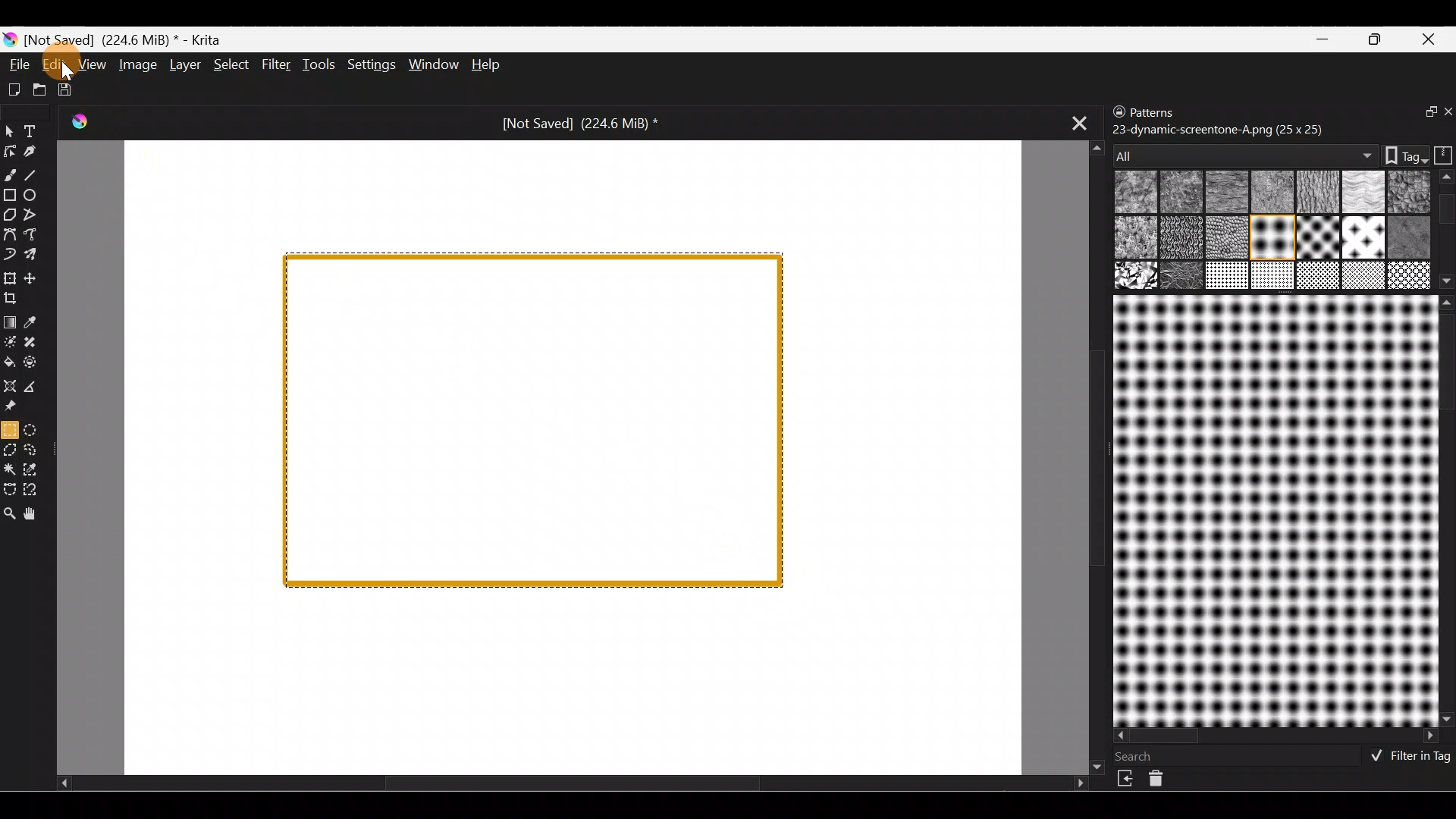 The image size is (1456, 819). Describe the element at coordinates (11, 489) in the screenshot. I see `Bezier curve selection tool` at that location.